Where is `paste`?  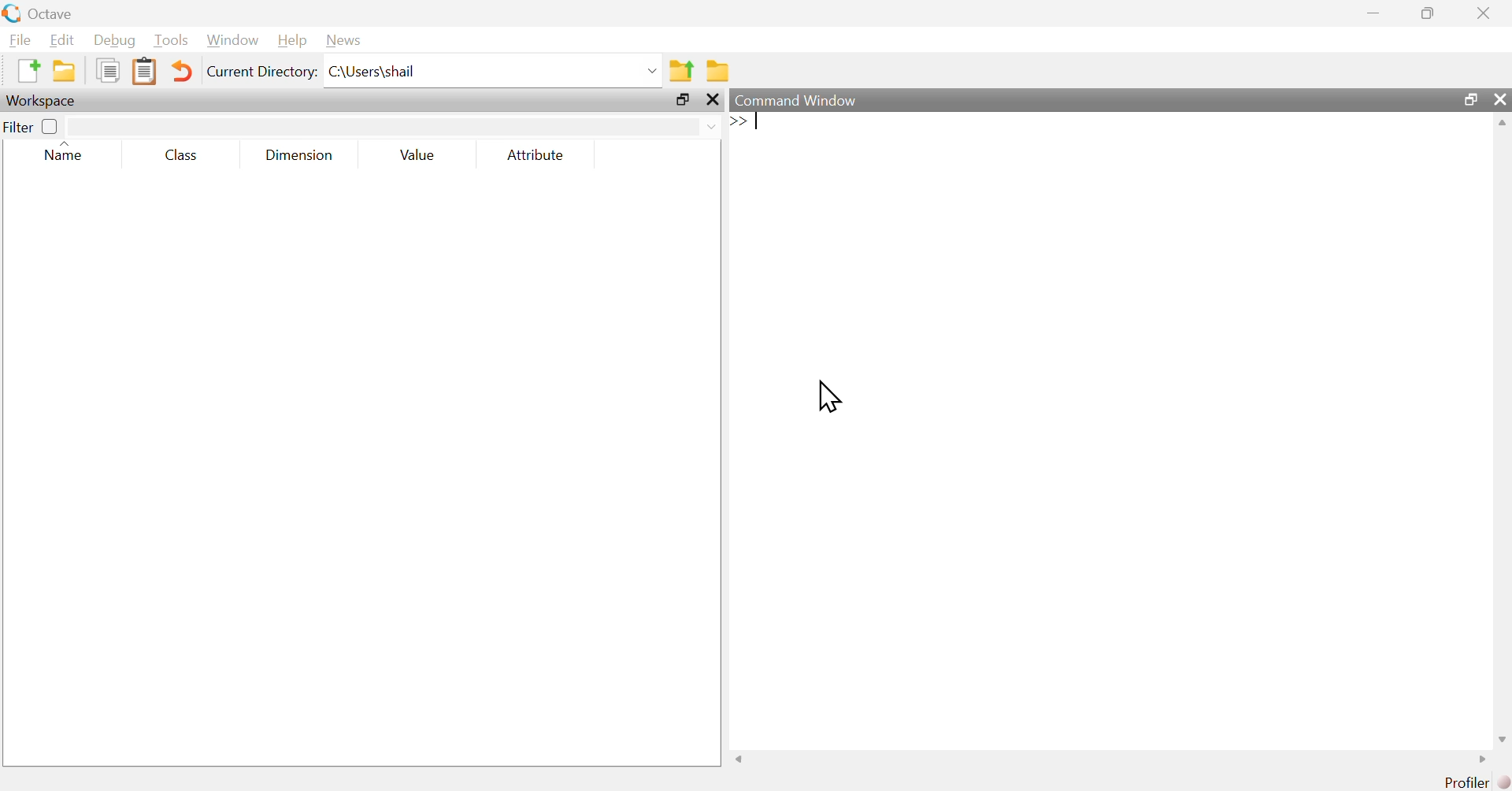
paste is located at coordinates (146, 70).